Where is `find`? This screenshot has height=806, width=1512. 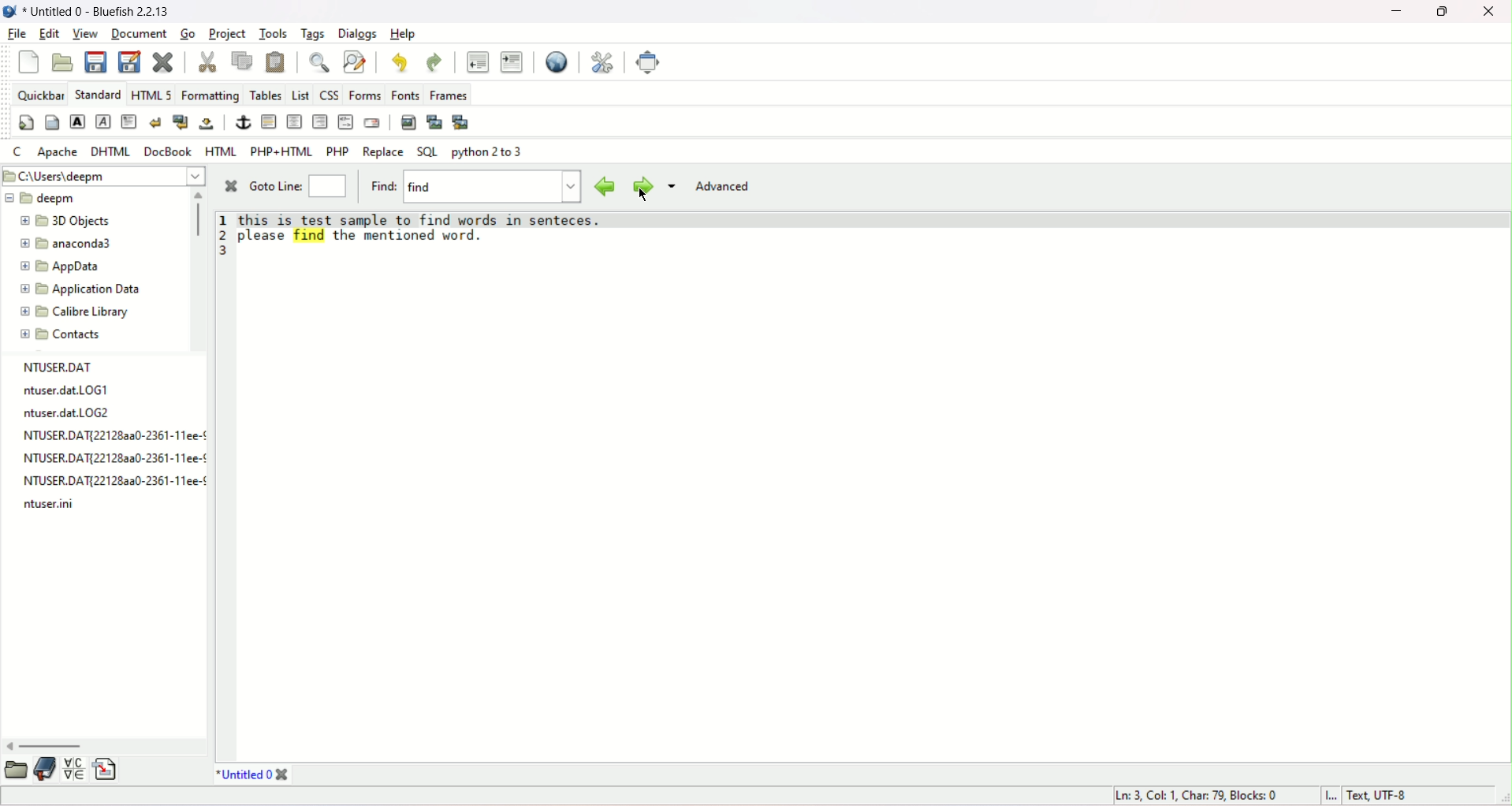 find is located at coordinates (382, 184).